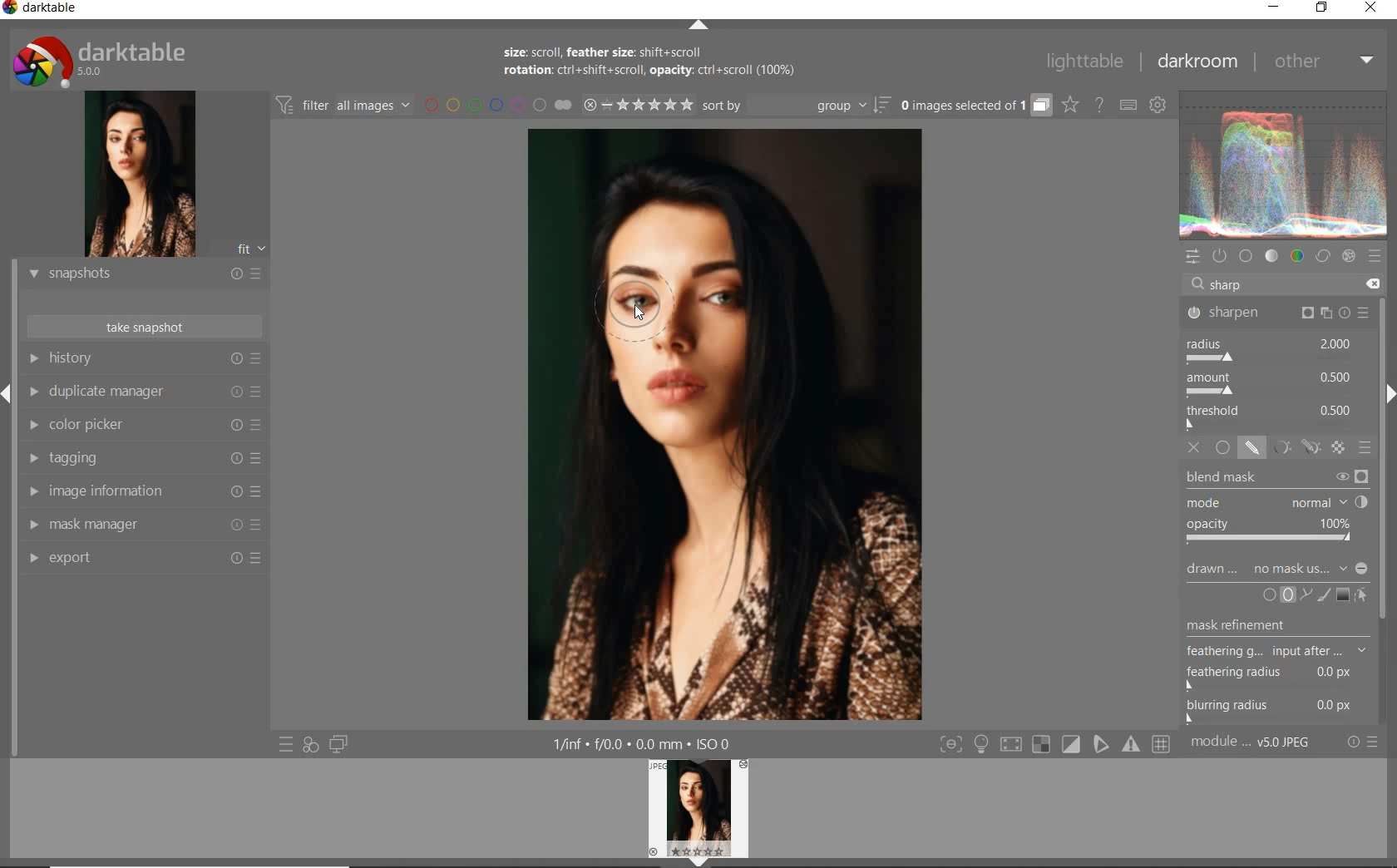  I want to click on lighttable, so click(1084, 62).